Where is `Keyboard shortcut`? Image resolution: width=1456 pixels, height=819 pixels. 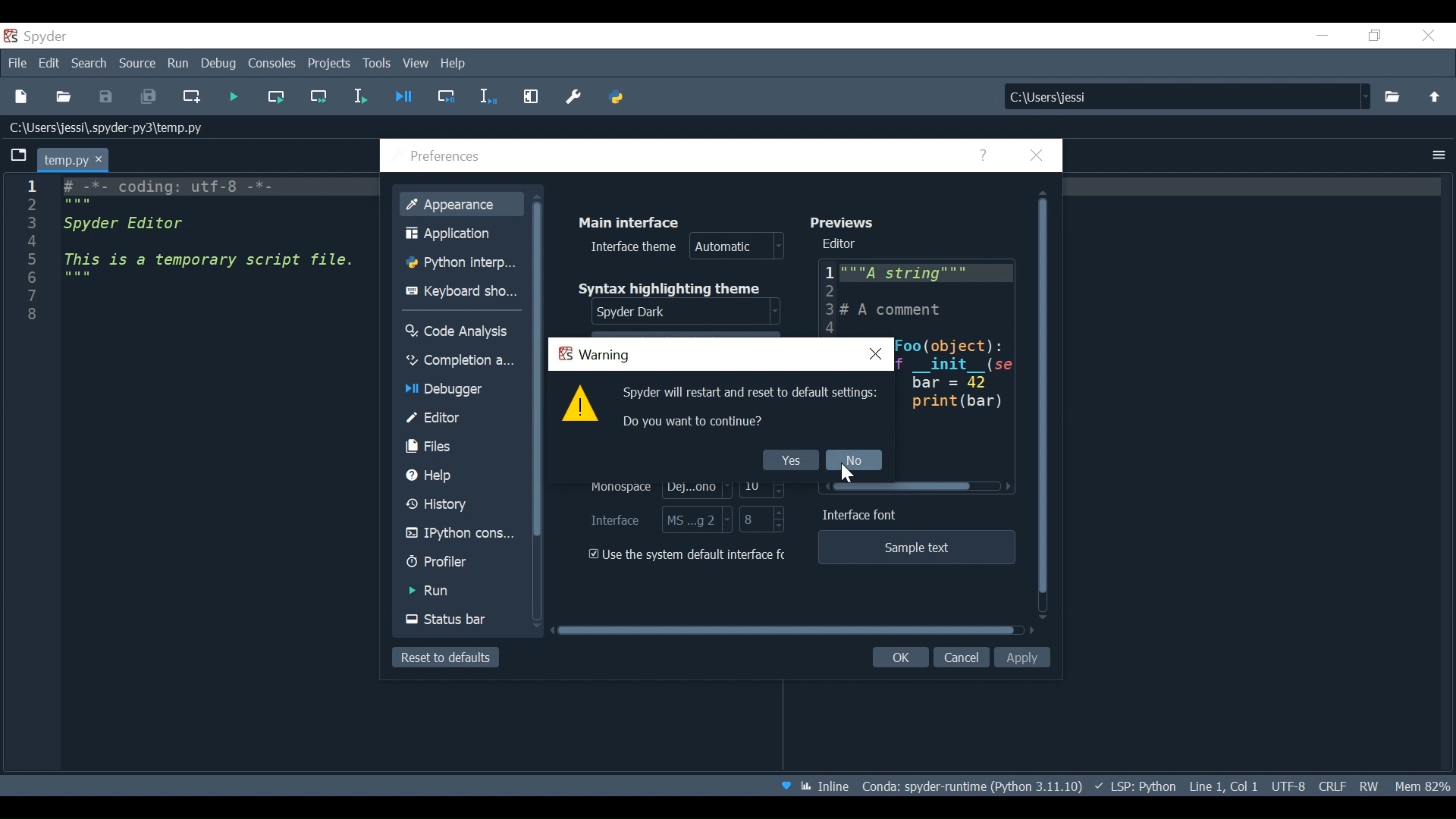 Keyboard shortcut is located at coordinates (461, 290).